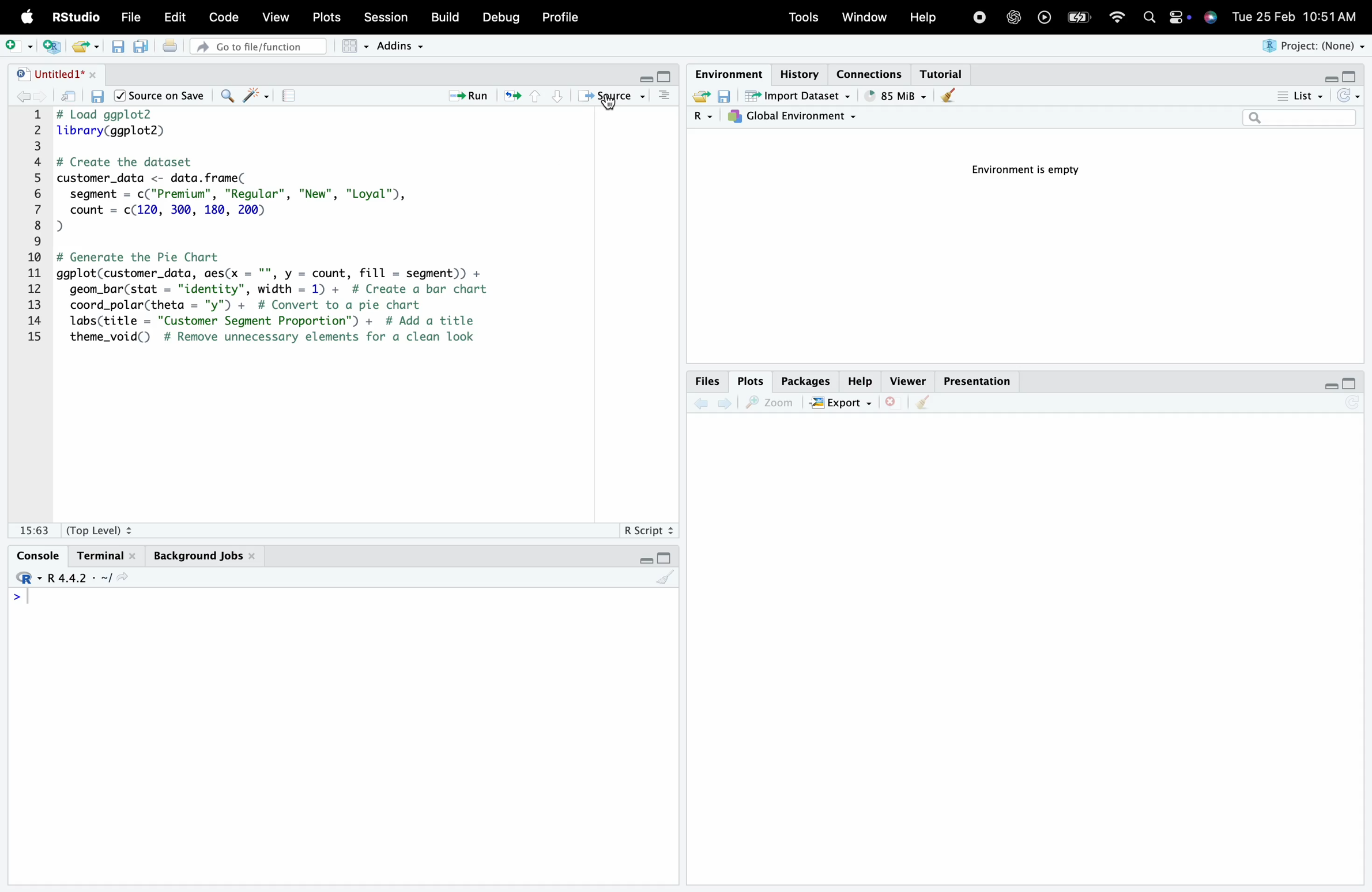 The width and height of the screenshot is (1372, 892). I want to click on zoom, so click(771, 403).